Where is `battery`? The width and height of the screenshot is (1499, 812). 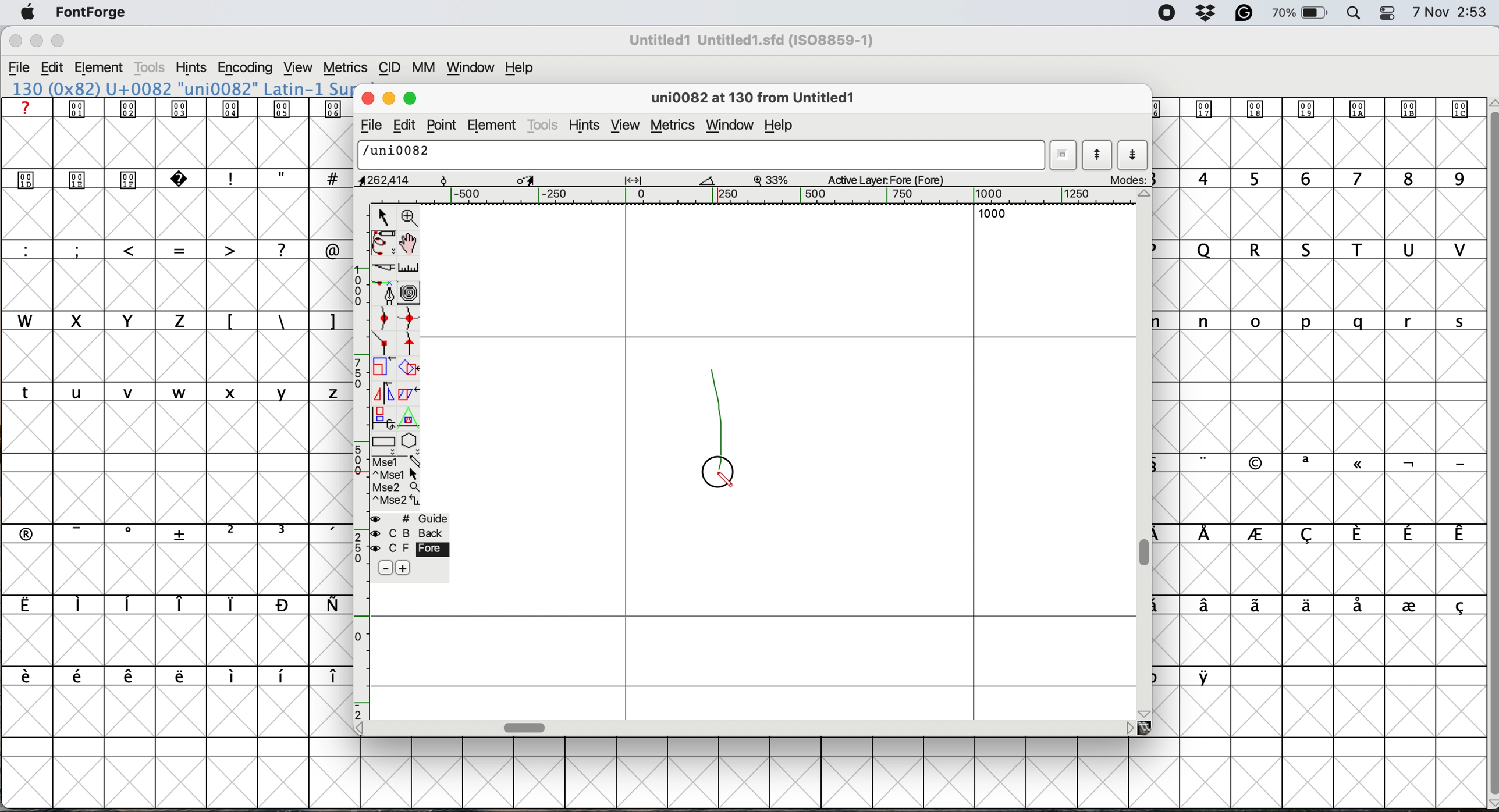 battery is located at coordinates (1302, 13).